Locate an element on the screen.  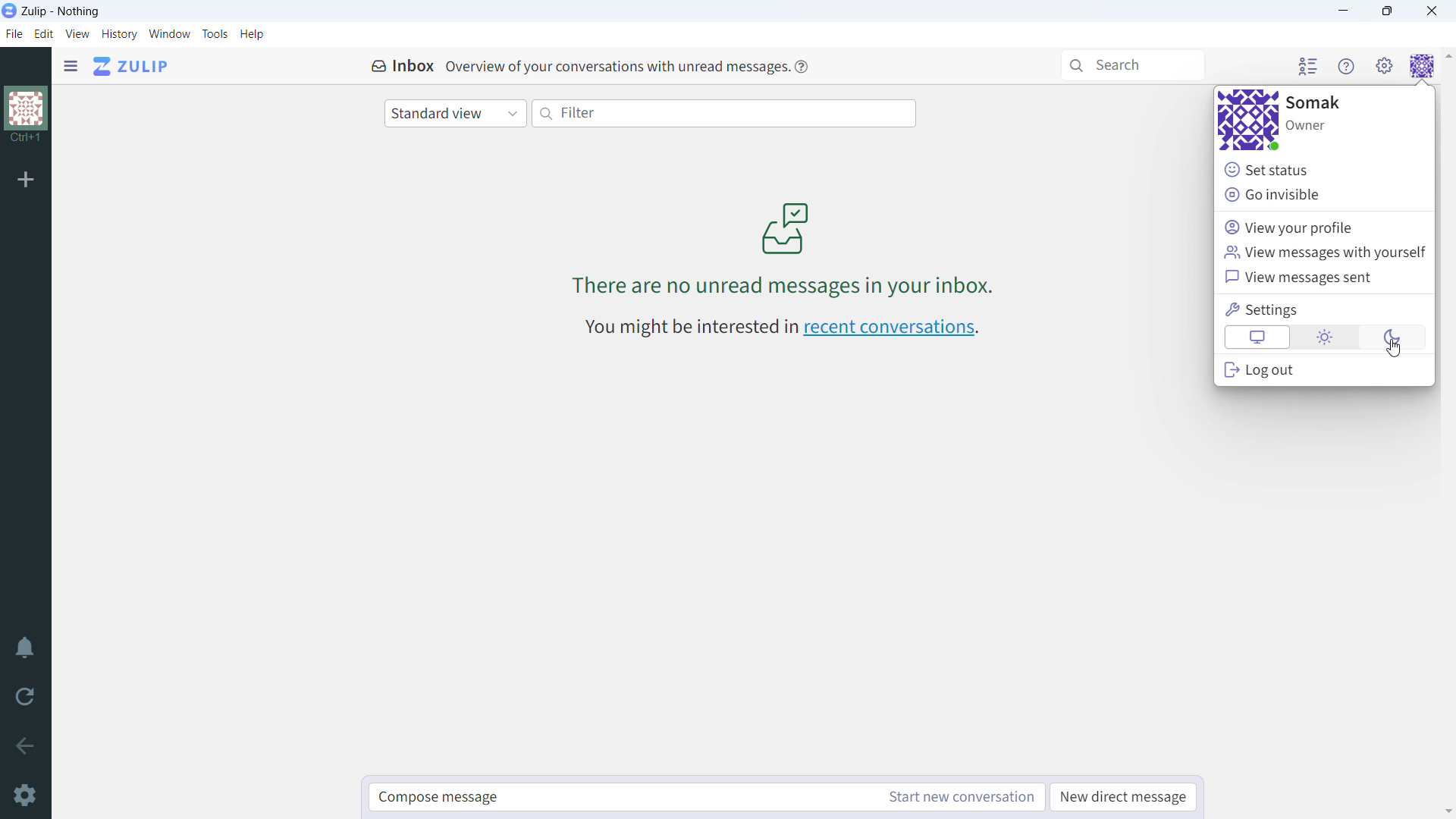
add organization is located at coordinates (25, 180).